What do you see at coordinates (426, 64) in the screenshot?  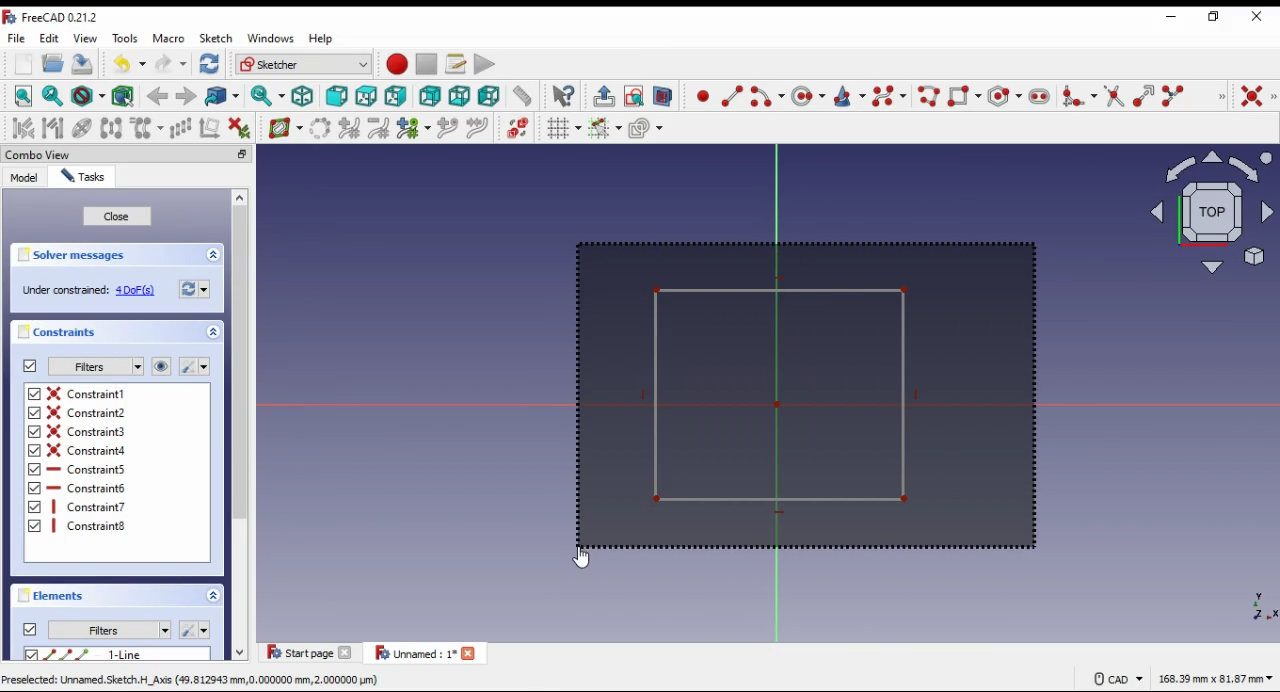 I see `stop macro recording` at bounding box center [426, 64].